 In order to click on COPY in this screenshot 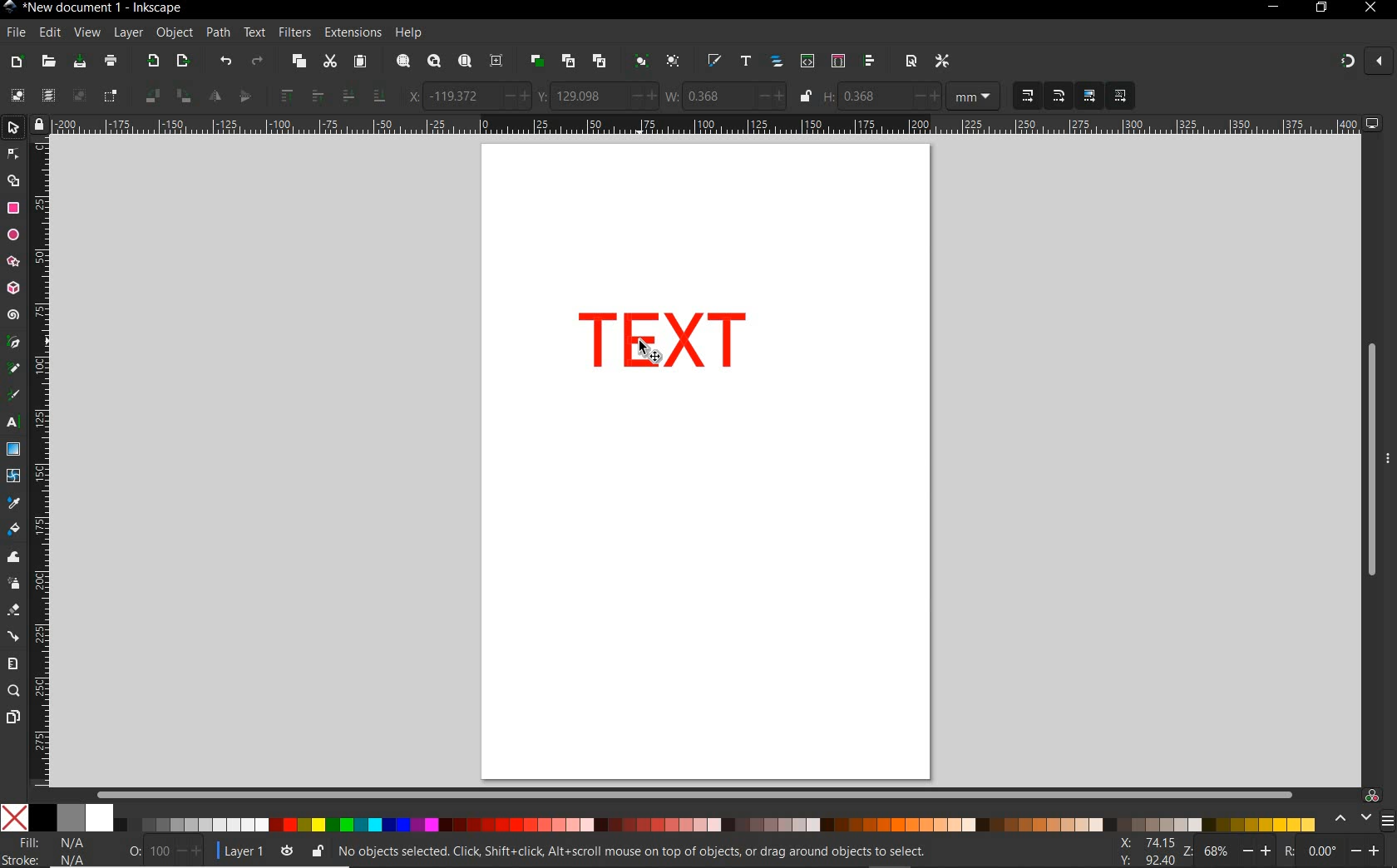, I will do `click(299, 62)`.